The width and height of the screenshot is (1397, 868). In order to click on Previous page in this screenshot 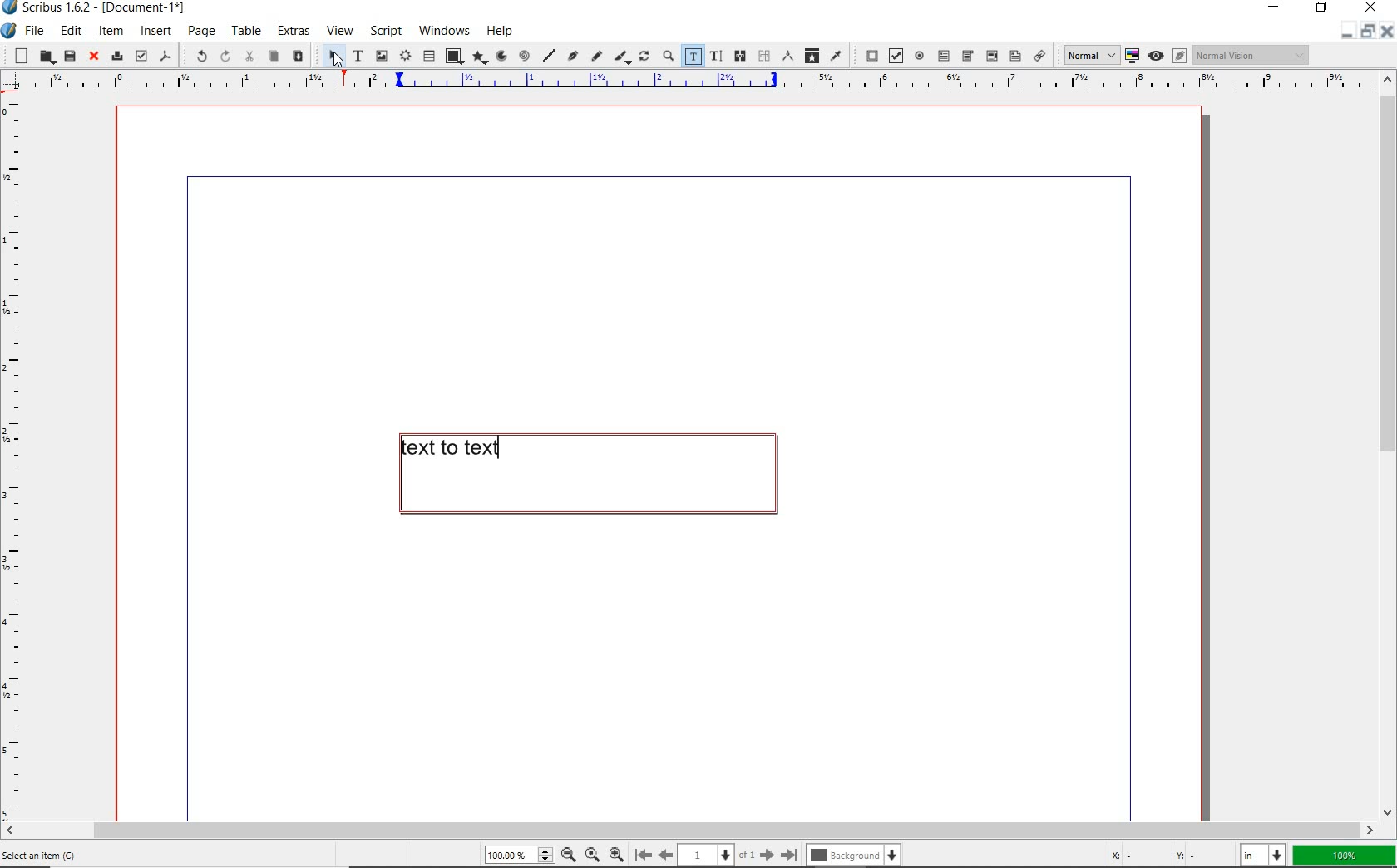, I will do `click(664, 855)`.